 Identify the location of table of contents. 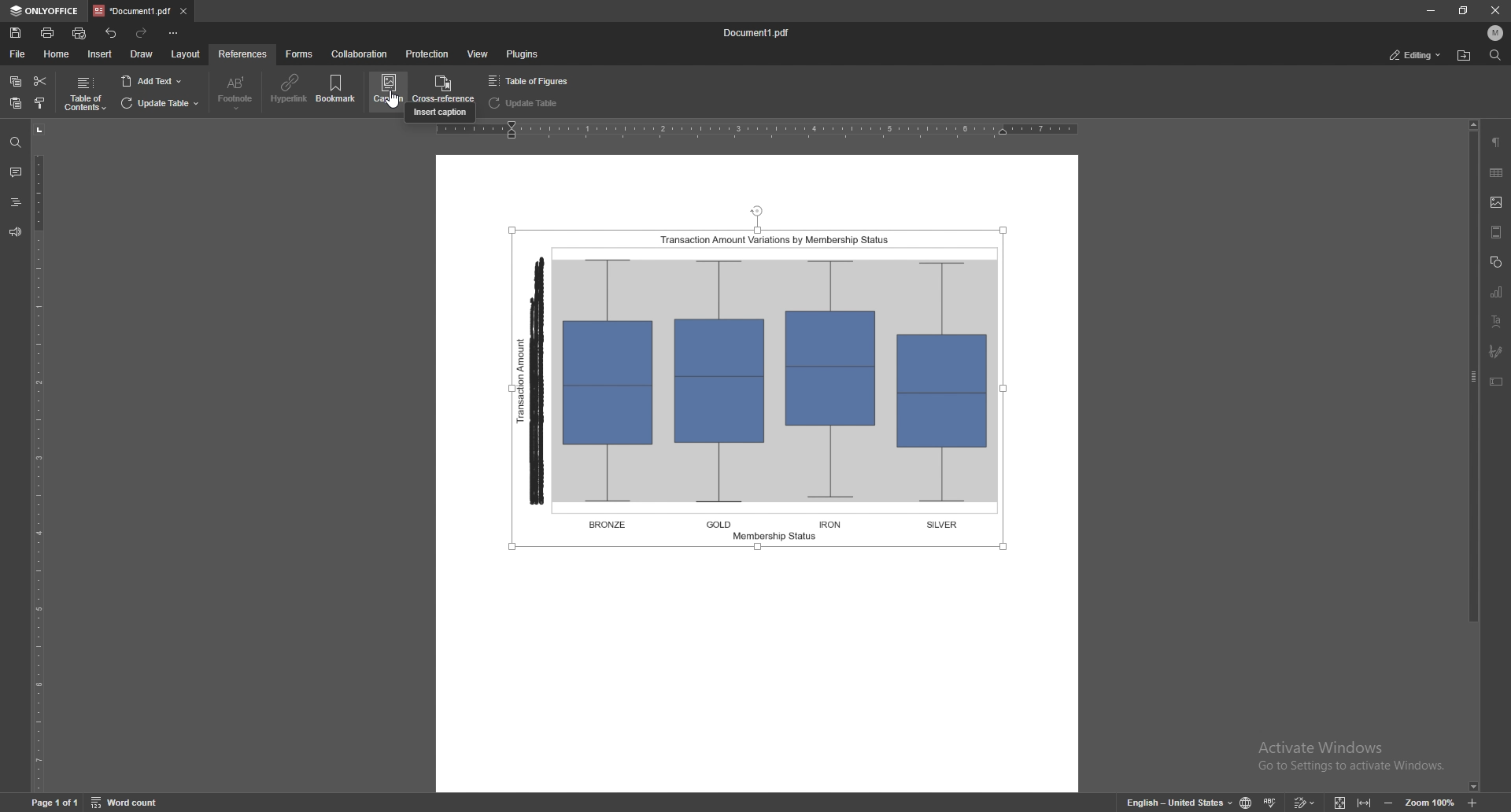
(84, 94).